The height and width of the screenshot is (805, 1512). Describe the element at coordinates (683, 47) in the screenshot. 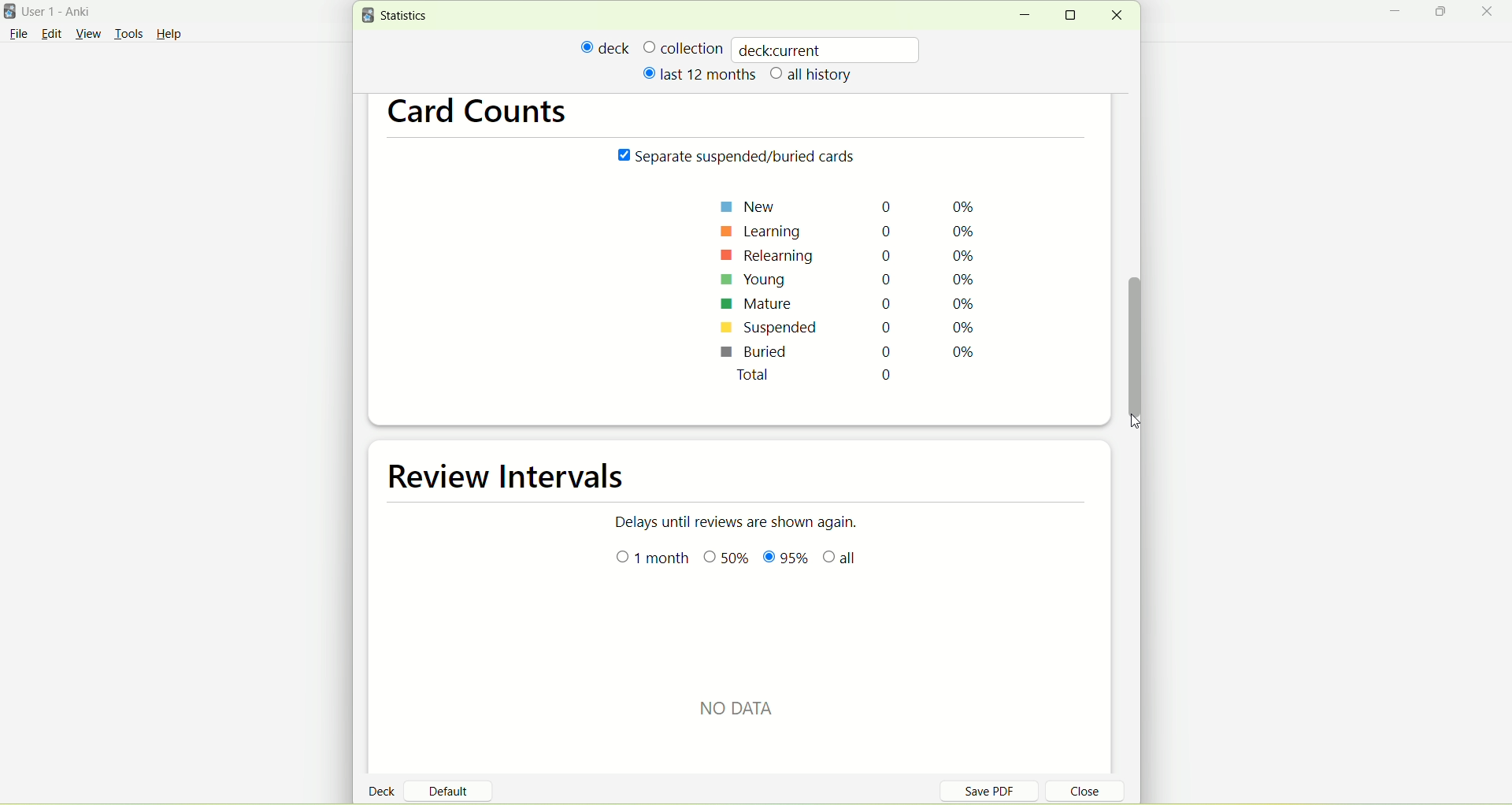

I see `collection` at that location.